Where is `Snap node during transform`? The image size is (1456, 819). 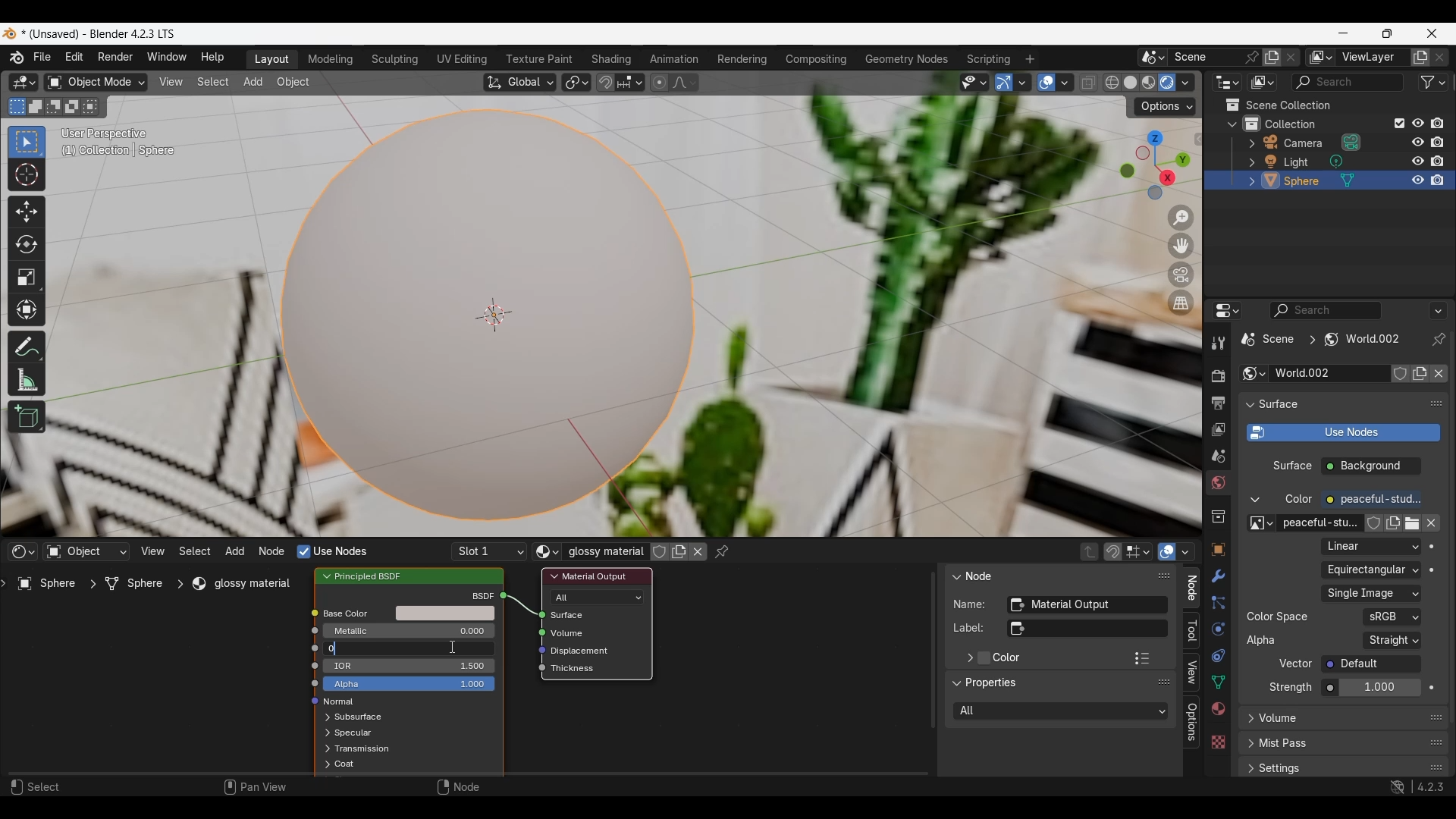
Snap node during transform is located at coordinates (1113, 552).